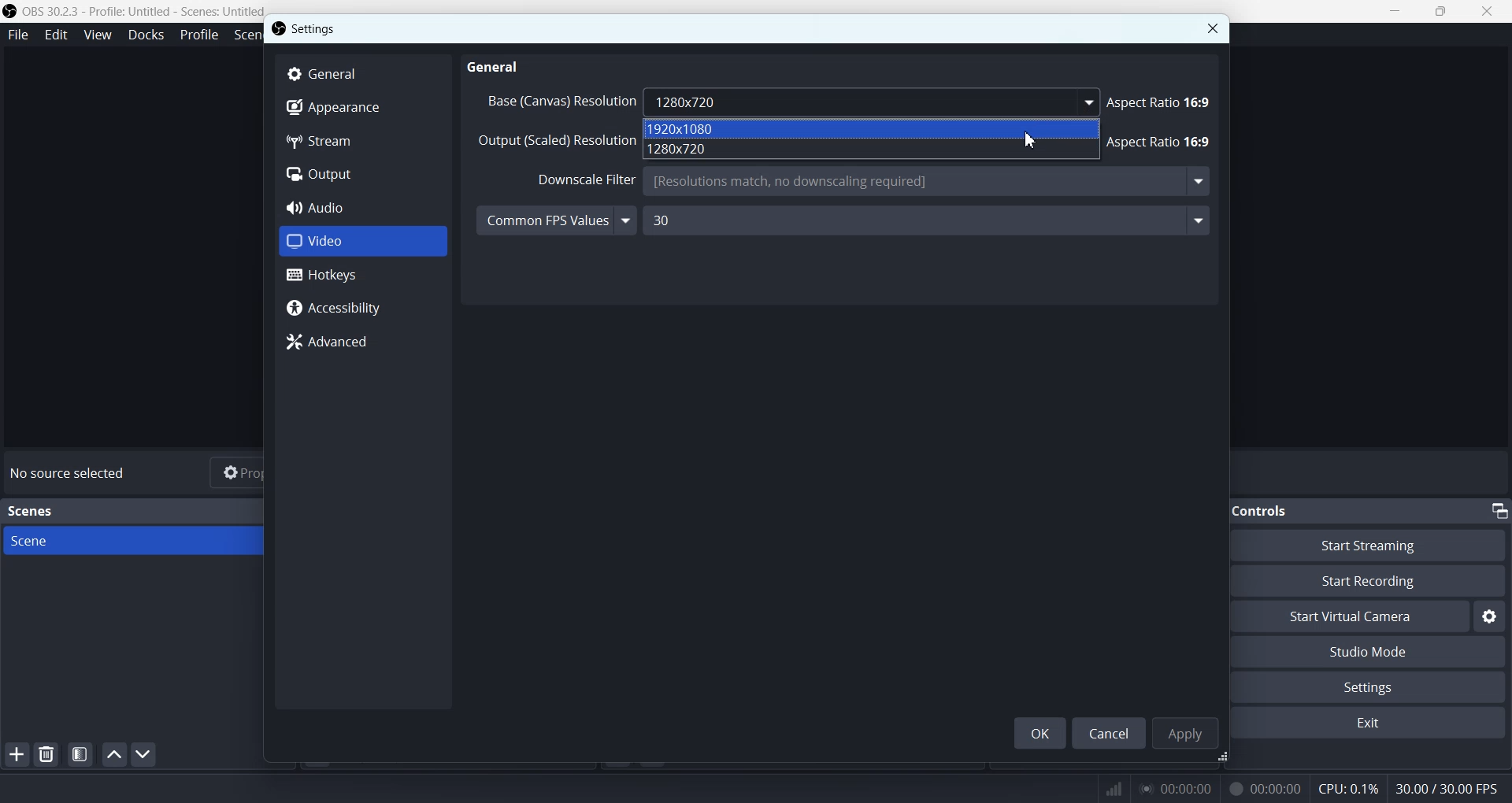 The height and width of the screenshot is (803, 1512). What do you see at coordinates (362, 109) in the screenshot?
I see `Appearance` at bounding box center [362, 109].